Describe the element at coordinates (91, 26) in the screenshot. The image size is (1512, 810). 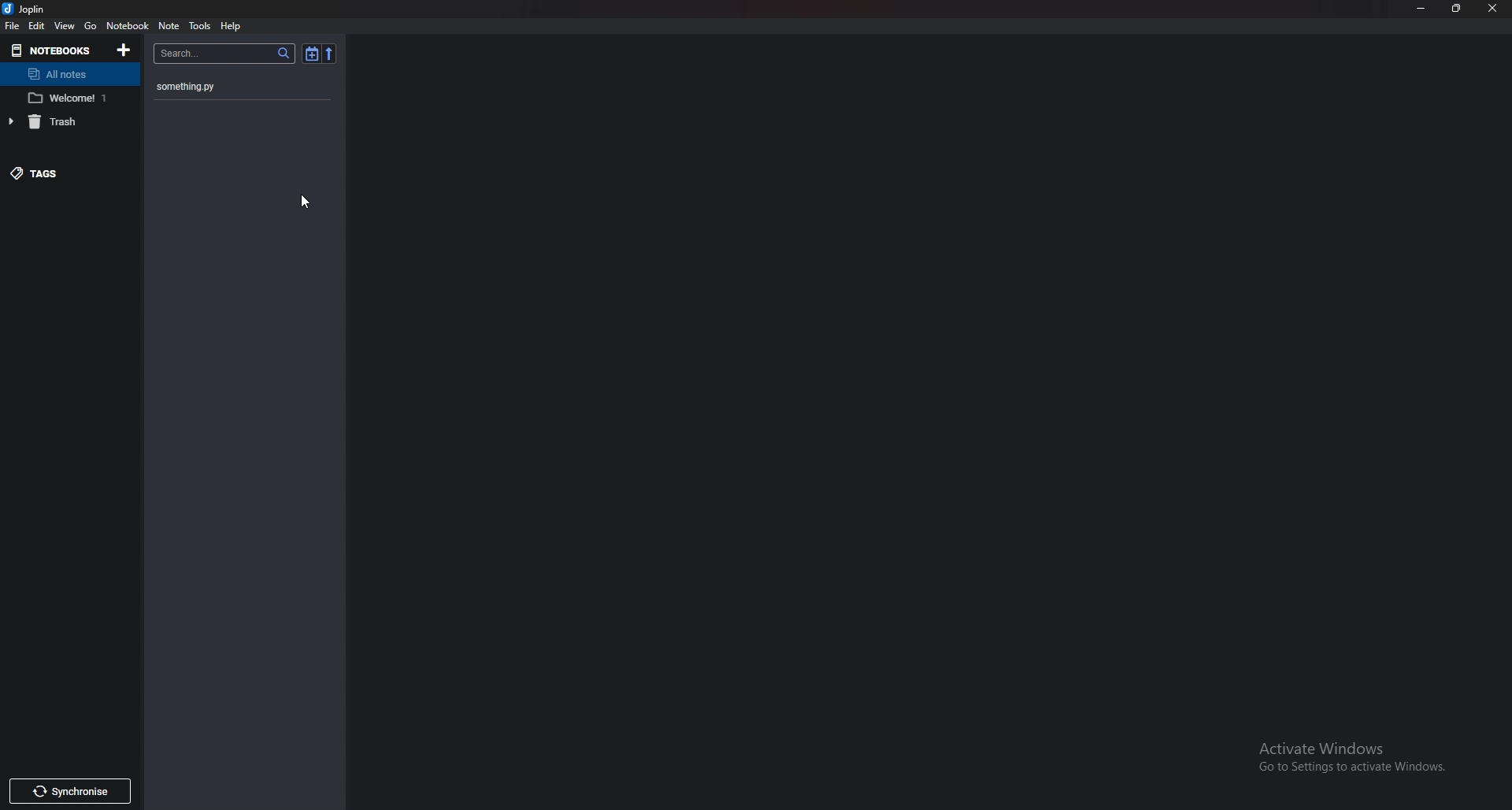
I see `go` at that location.